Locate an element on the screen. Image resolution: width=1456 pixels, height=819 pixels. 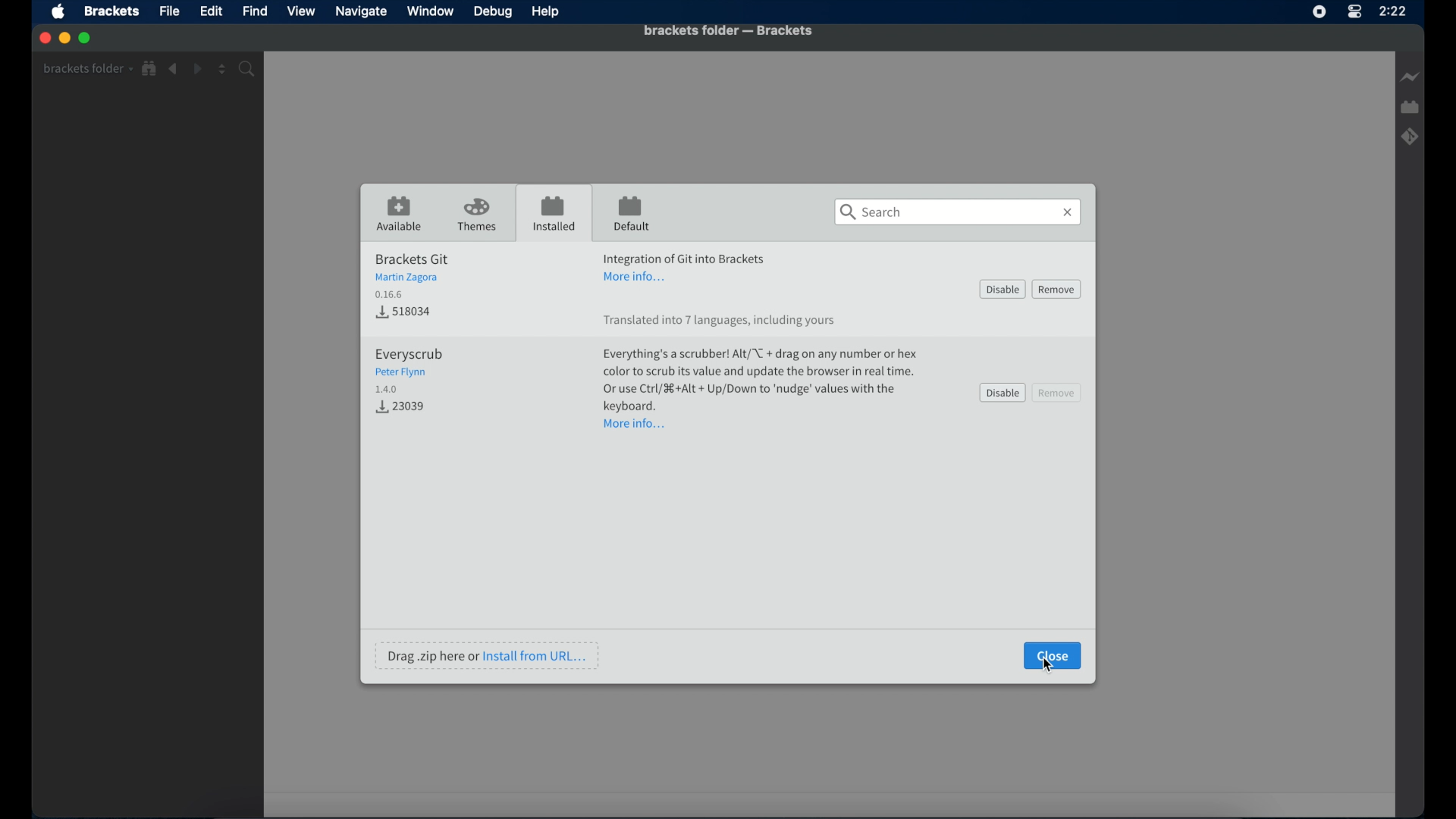
file is located at coordinates (170, 11).